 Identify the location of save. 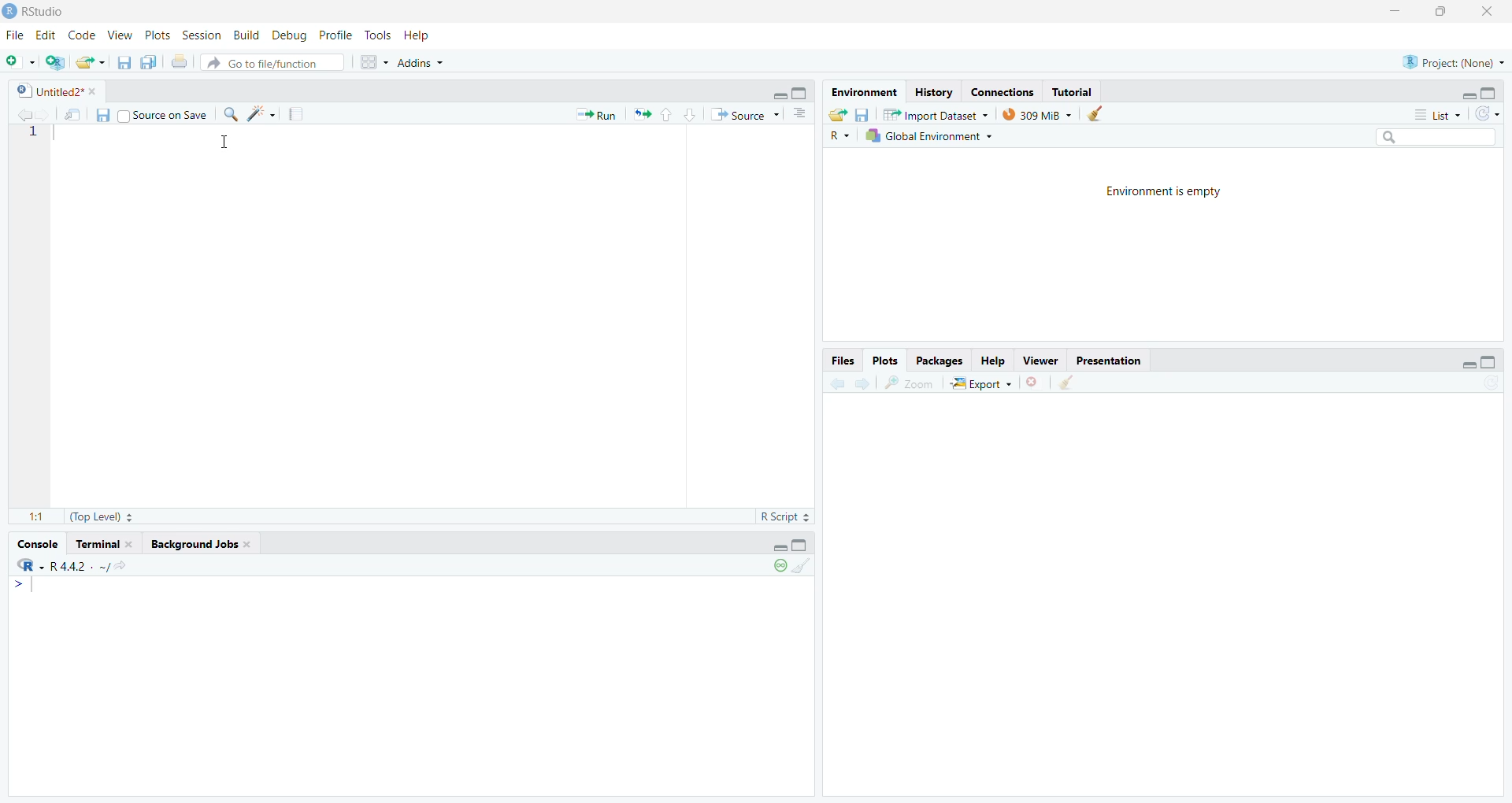
(863, 114).